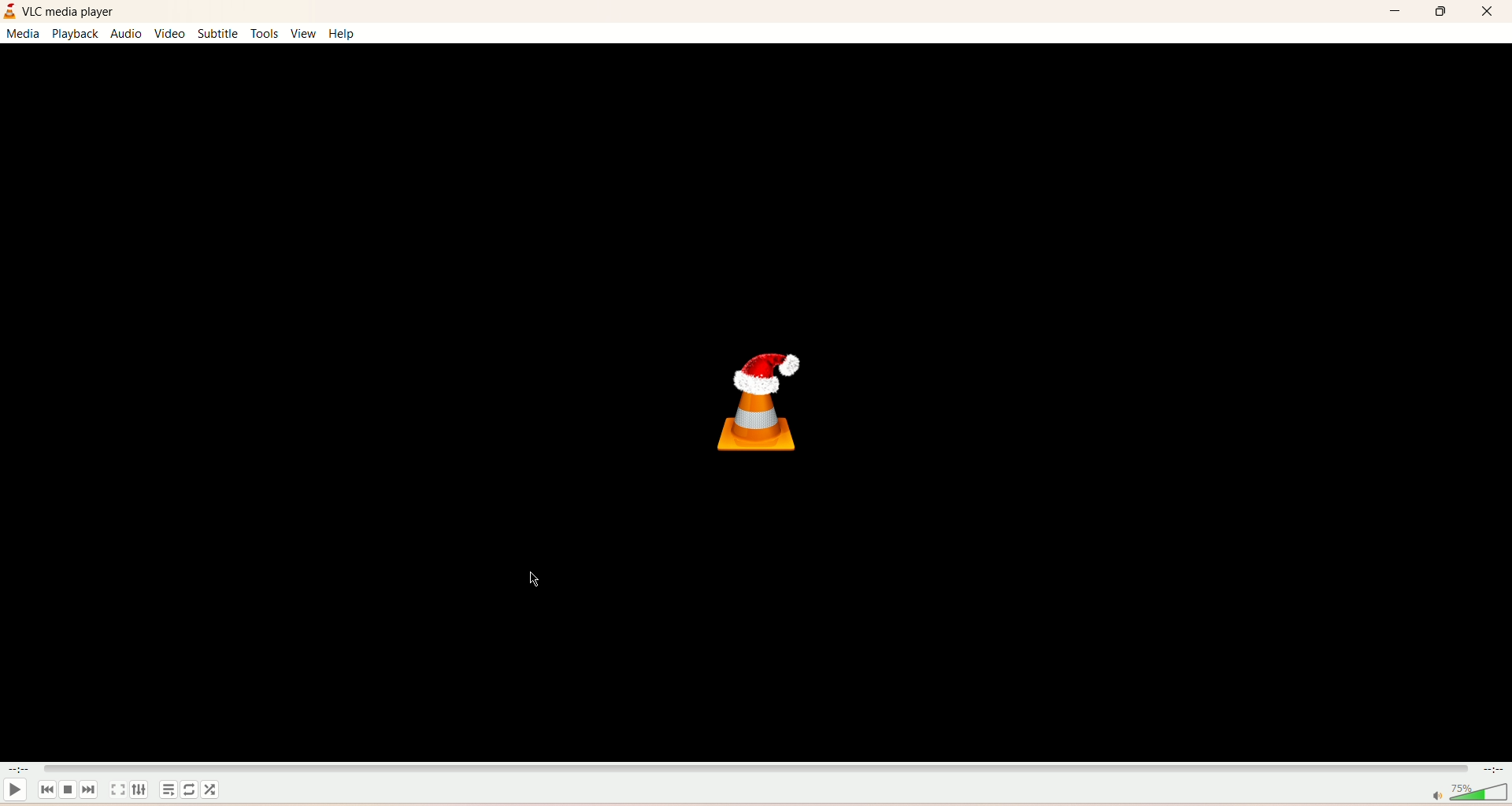  Describe the element at coordinates (71, 12) in the screenshot. I see `VLC media player` at that location.